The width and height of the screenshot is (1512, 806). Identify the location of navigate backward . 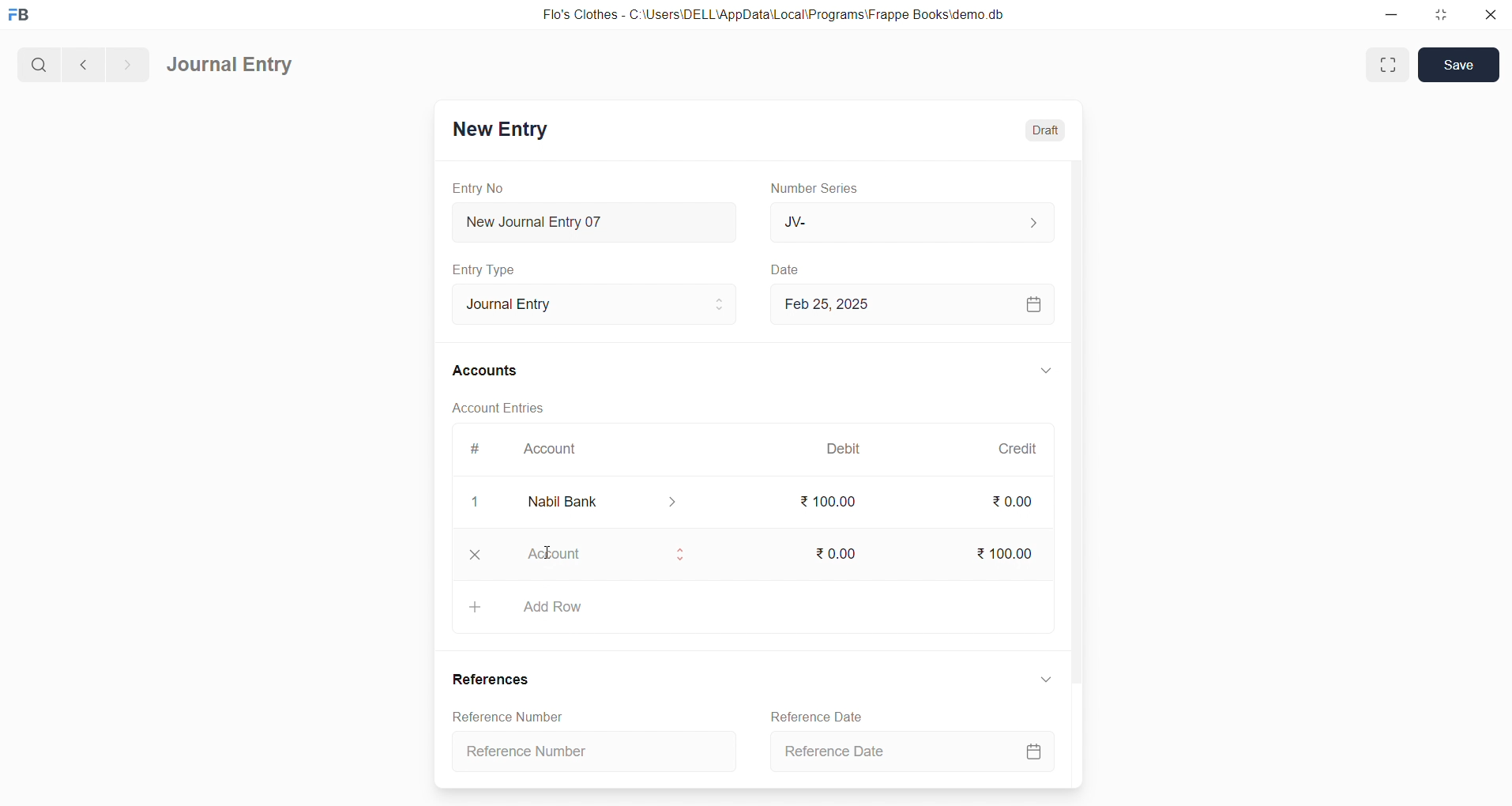
(81, 62).